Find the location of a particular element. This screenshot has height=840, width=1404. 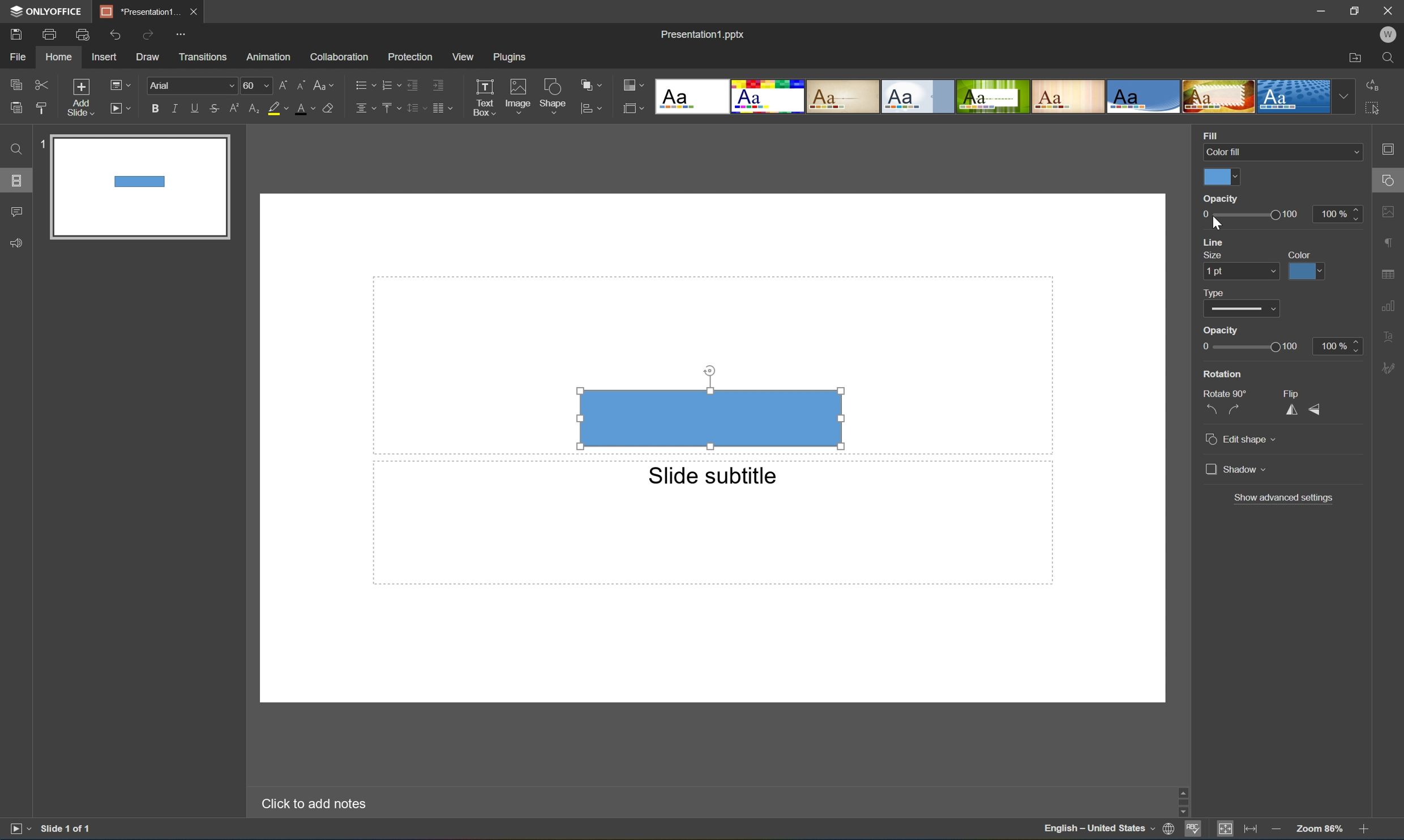

Fit to width is located at coordinates (1251, 830).